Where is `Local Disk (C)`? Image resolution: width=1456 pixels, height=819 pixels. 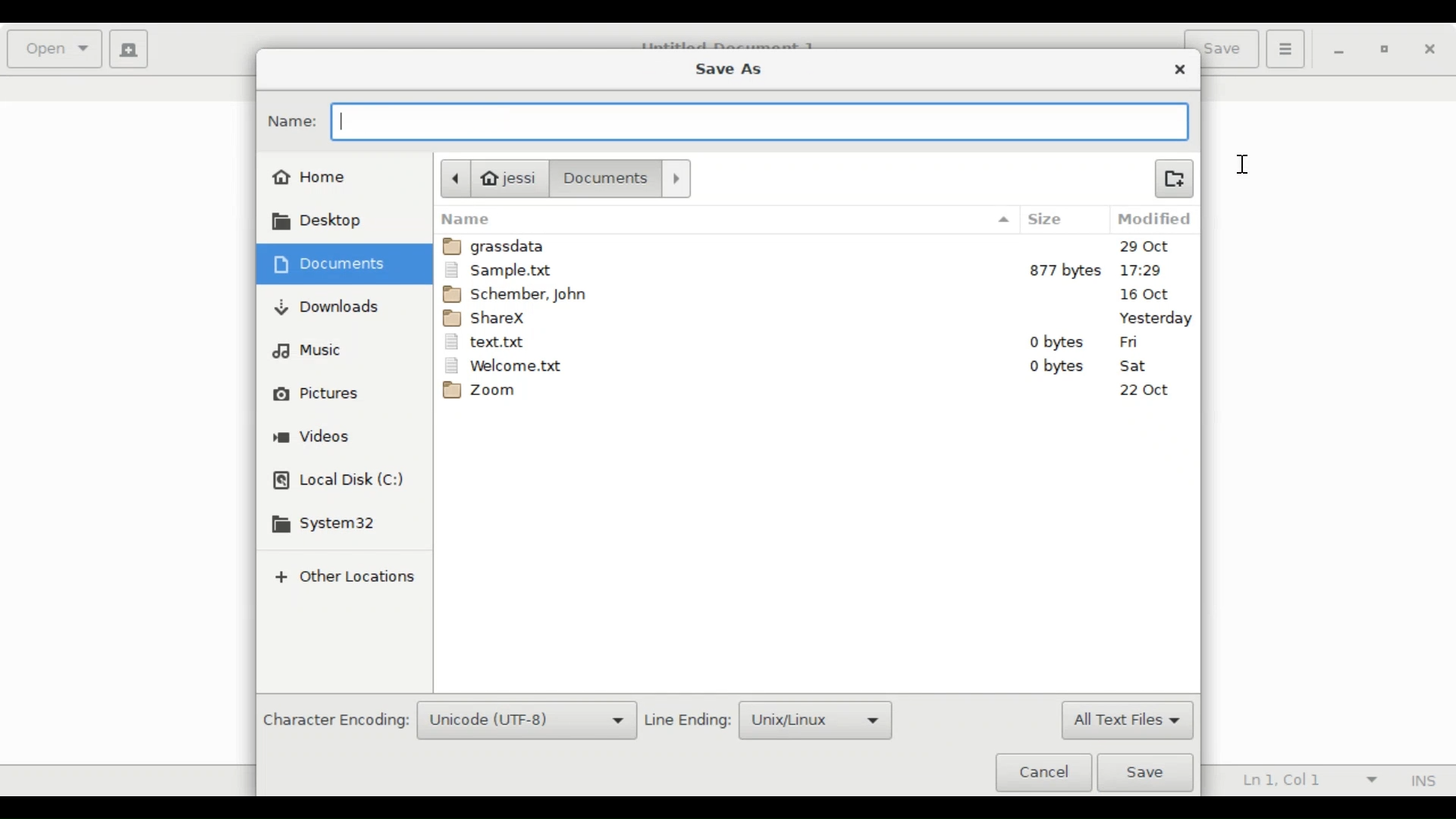 Local Disk (C) is located at coordinates (340, 482).